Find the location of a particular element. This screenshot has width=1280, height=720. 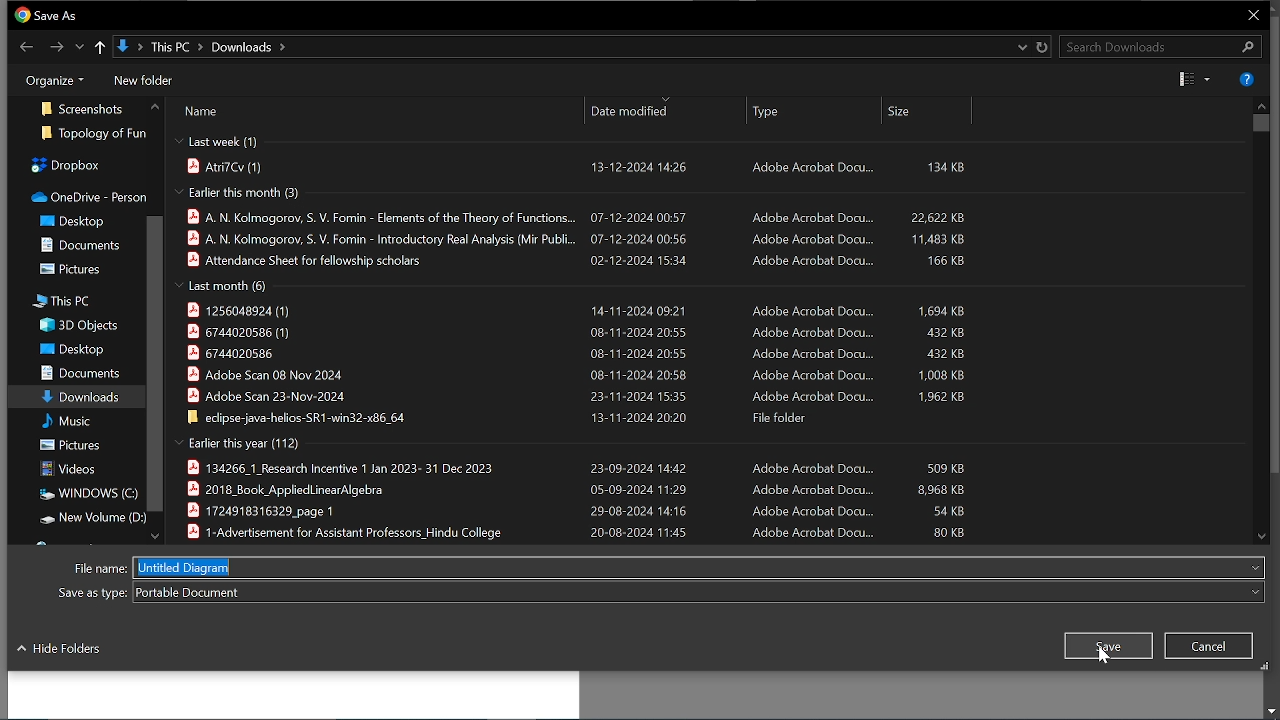

1.962 KB is located at coordinates (944, 399).